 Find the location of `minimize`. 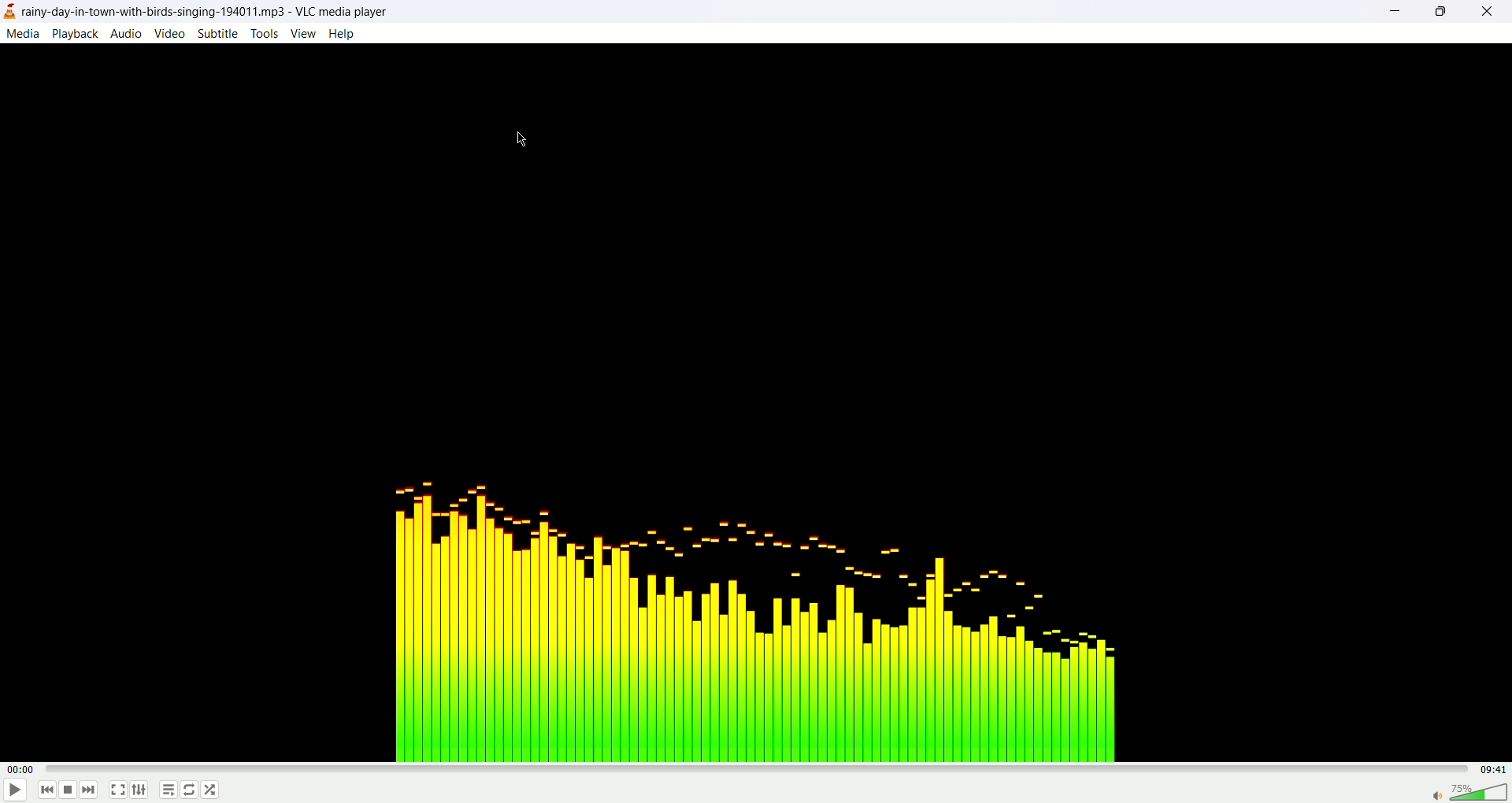

minimize is located at coordinates (1395, 13).